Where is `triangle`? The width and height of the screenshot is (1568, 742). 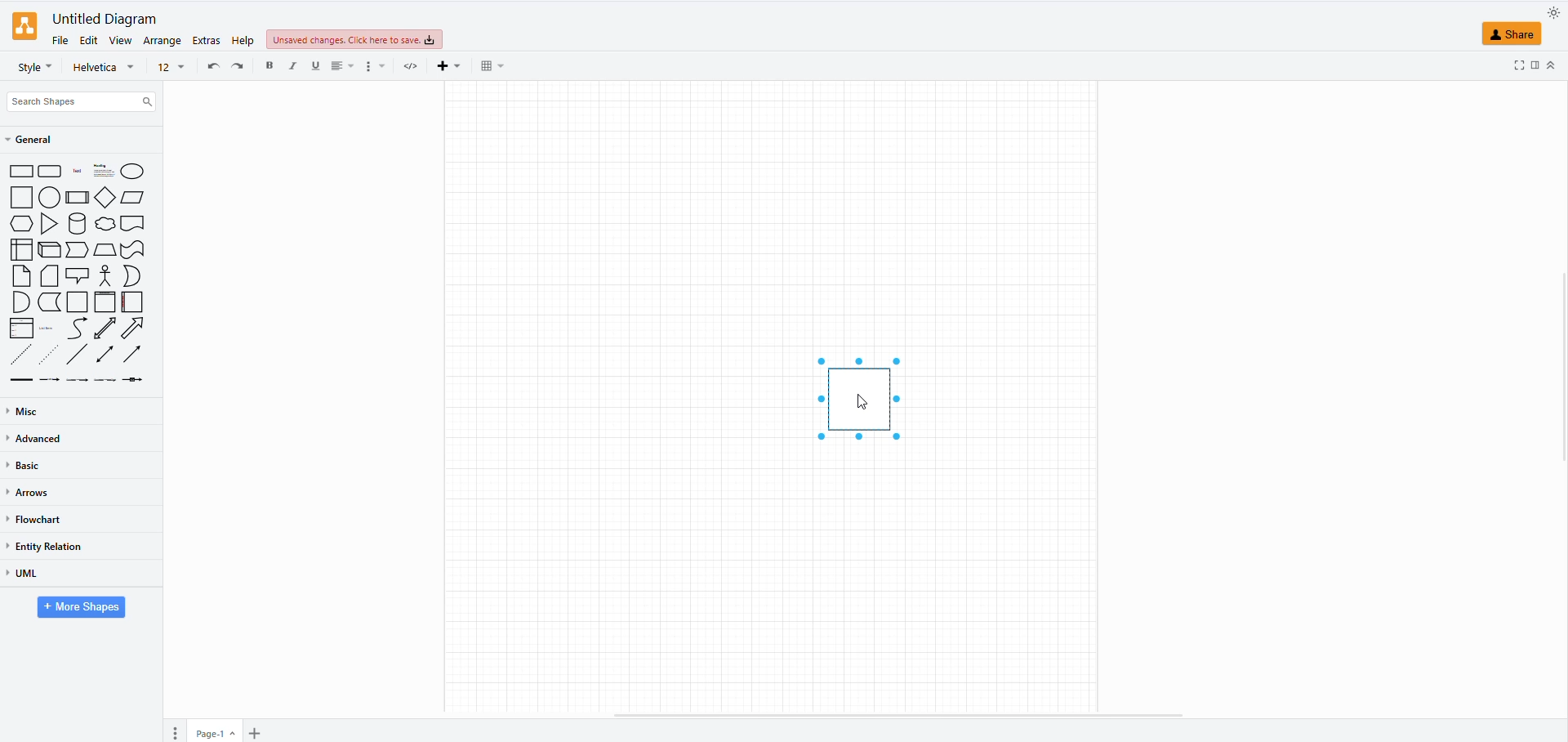 triangle is located at coordinates (51, 226).